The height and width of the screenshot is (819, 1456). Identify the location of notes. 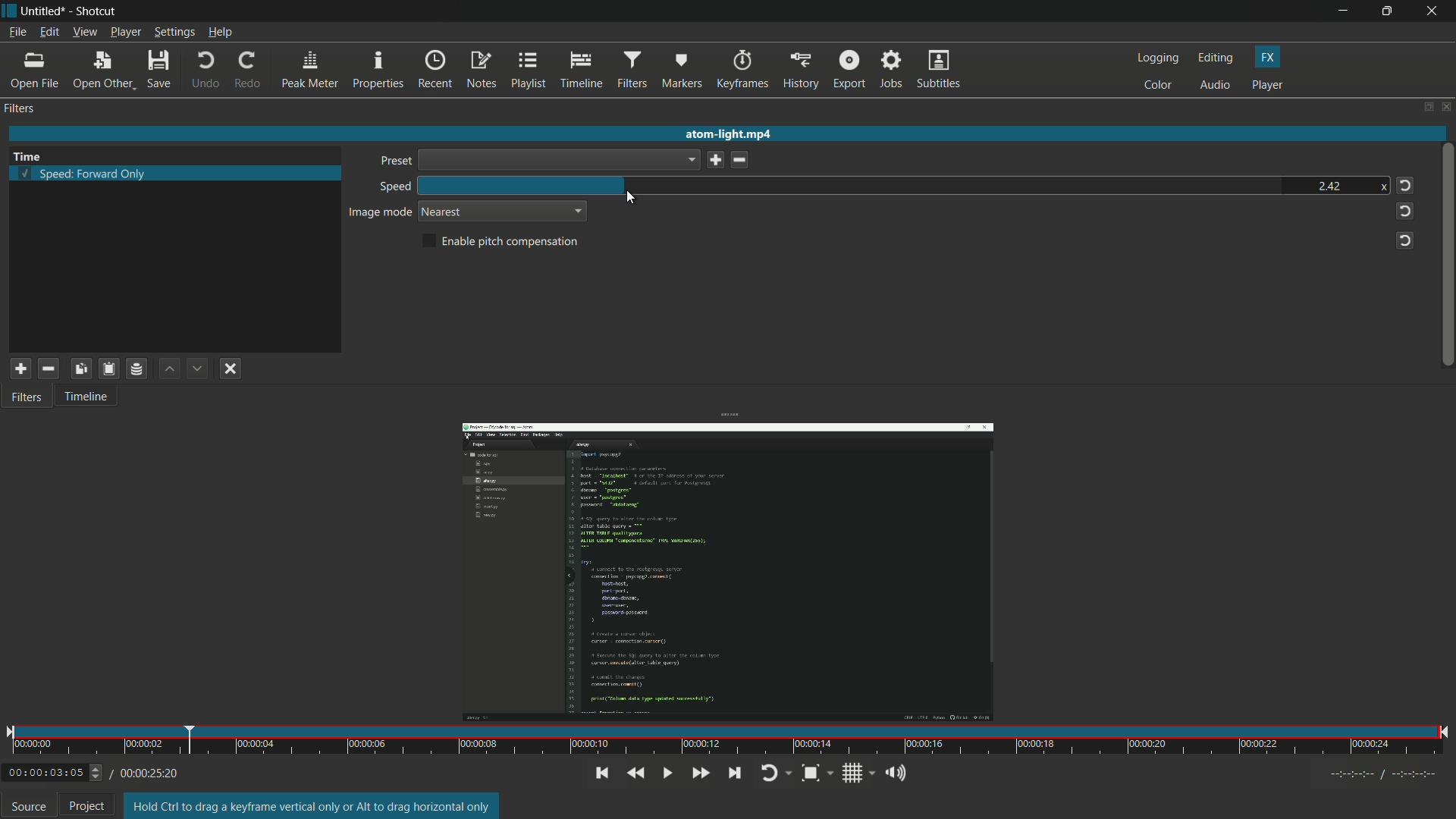
(483, 71).